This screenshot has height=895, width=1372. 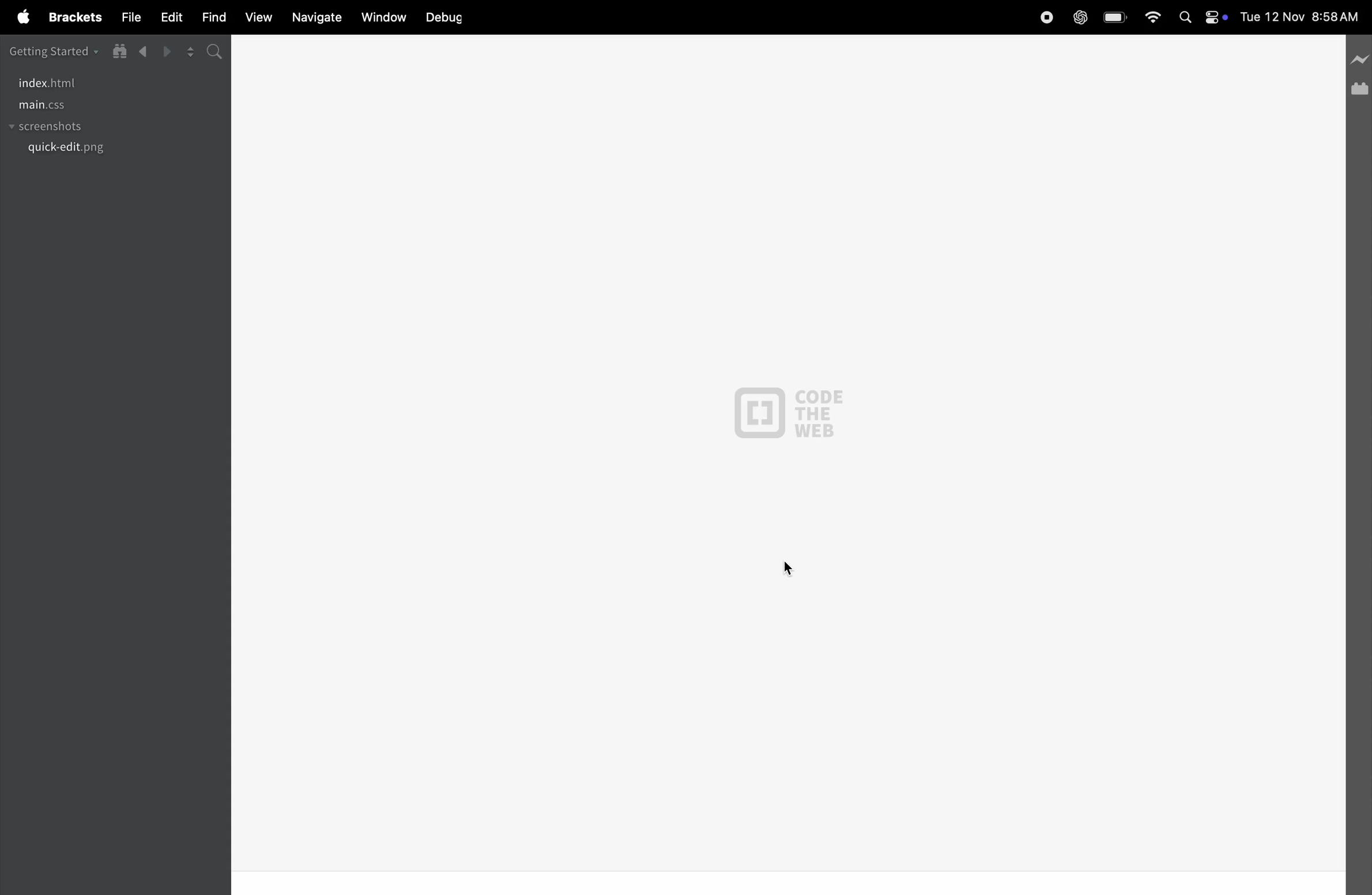 I want to click on backward, so click(x=144, y=52).